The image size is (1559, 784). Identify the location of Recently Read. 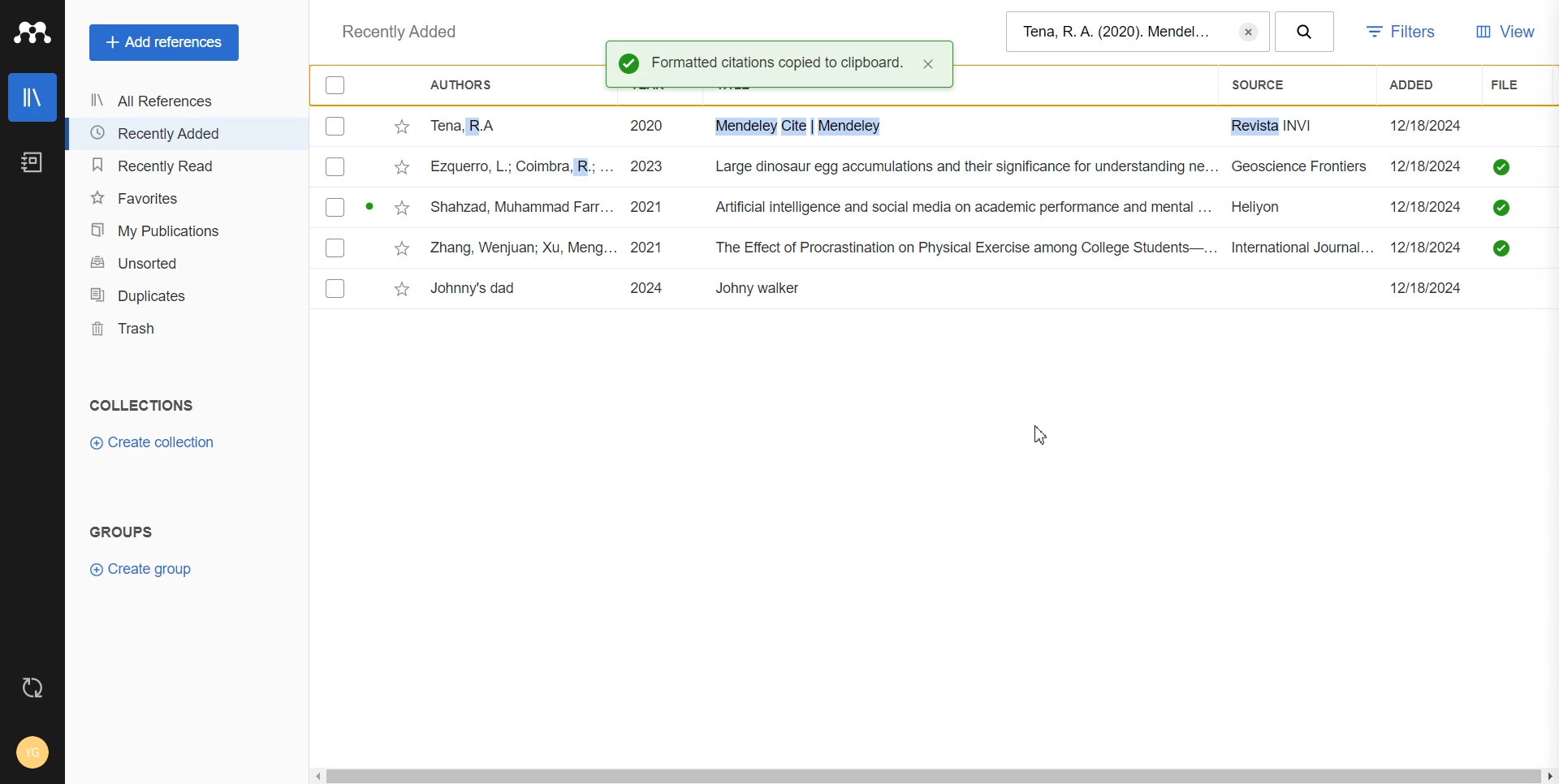
(184, 166).